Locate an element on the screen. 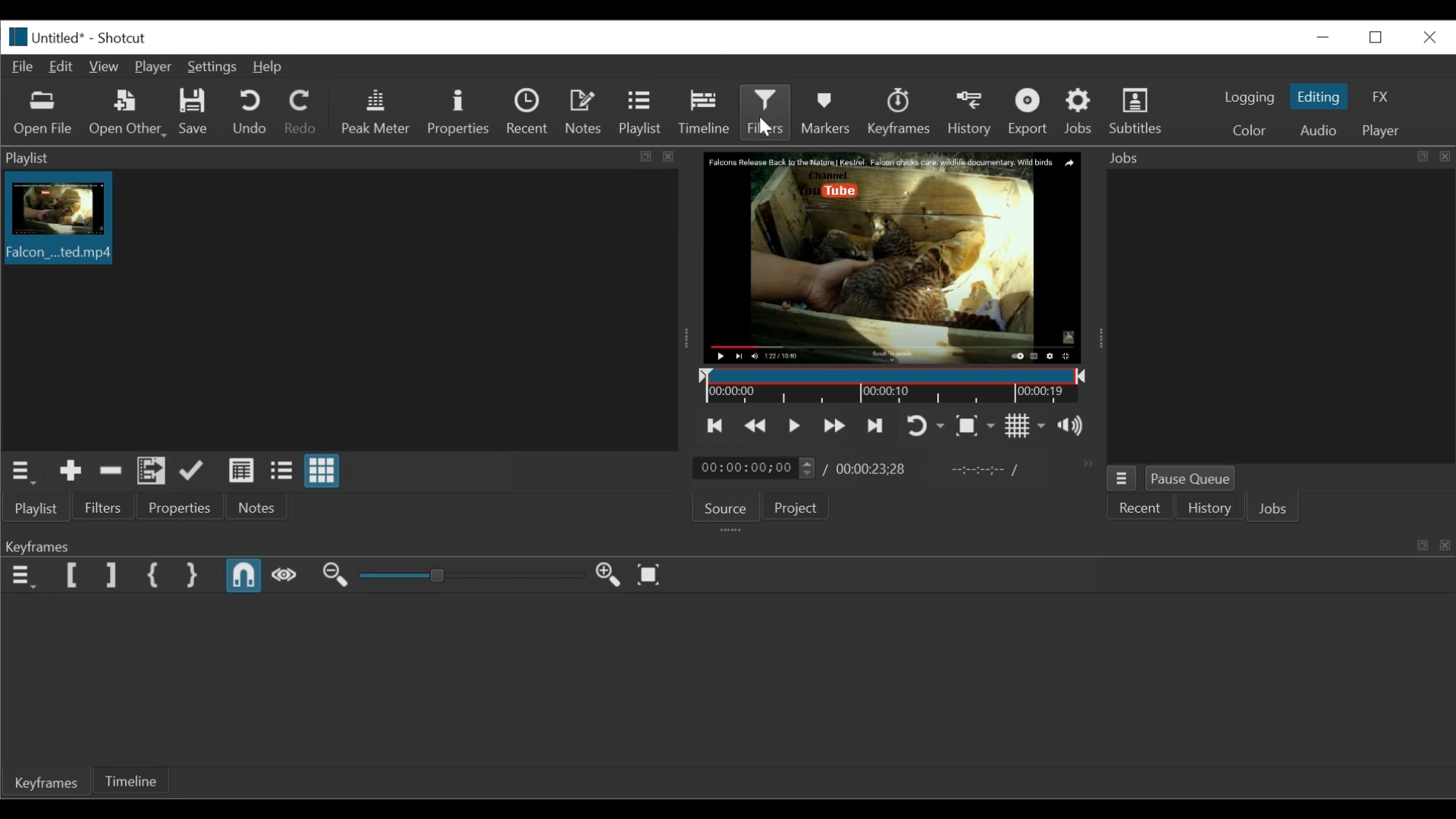  Skip to the previous point is located at coordinates (716, 425).